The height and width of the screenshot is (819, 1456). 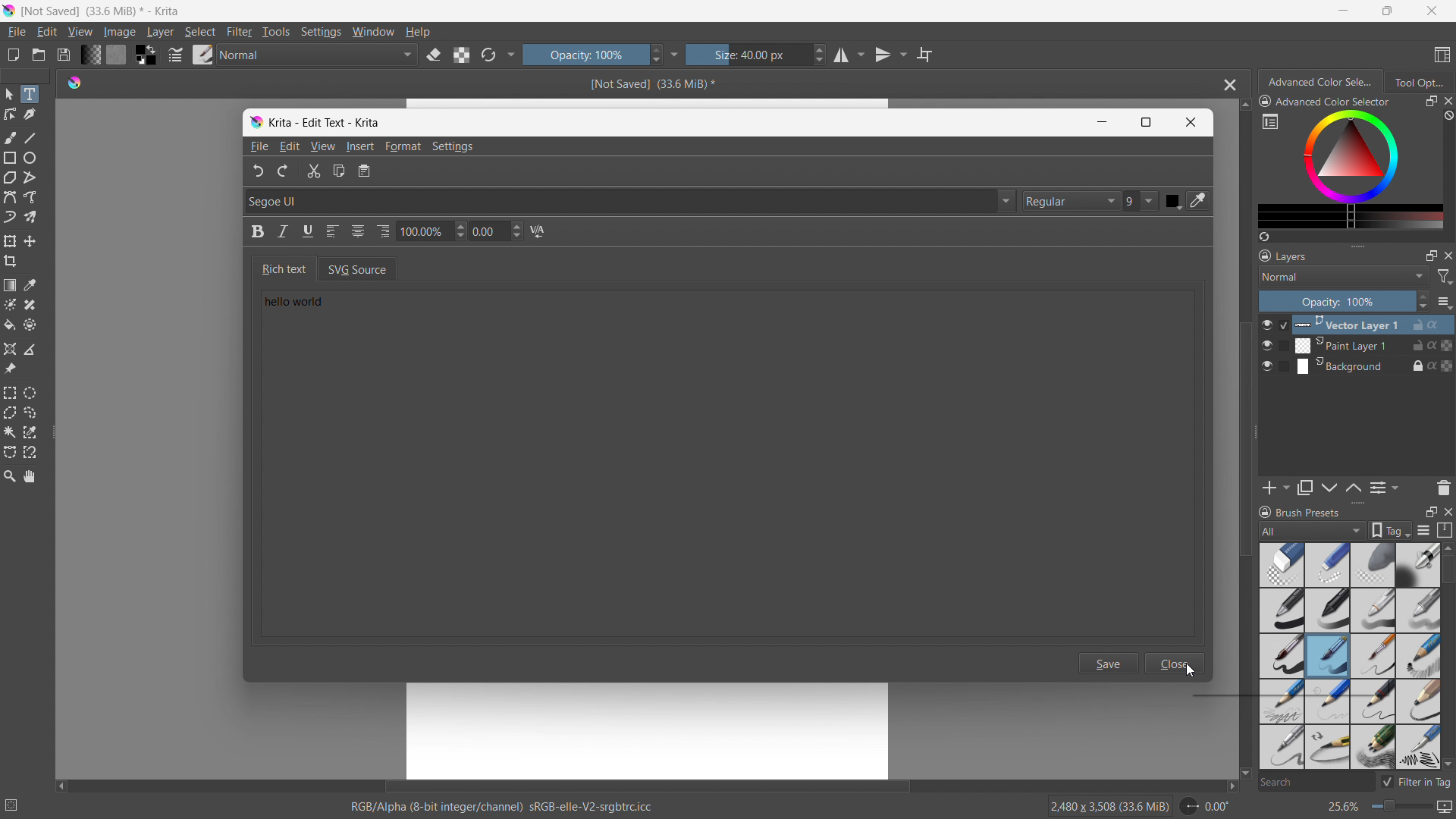 I want to click on blending mode, so click(x=1344, y=276).